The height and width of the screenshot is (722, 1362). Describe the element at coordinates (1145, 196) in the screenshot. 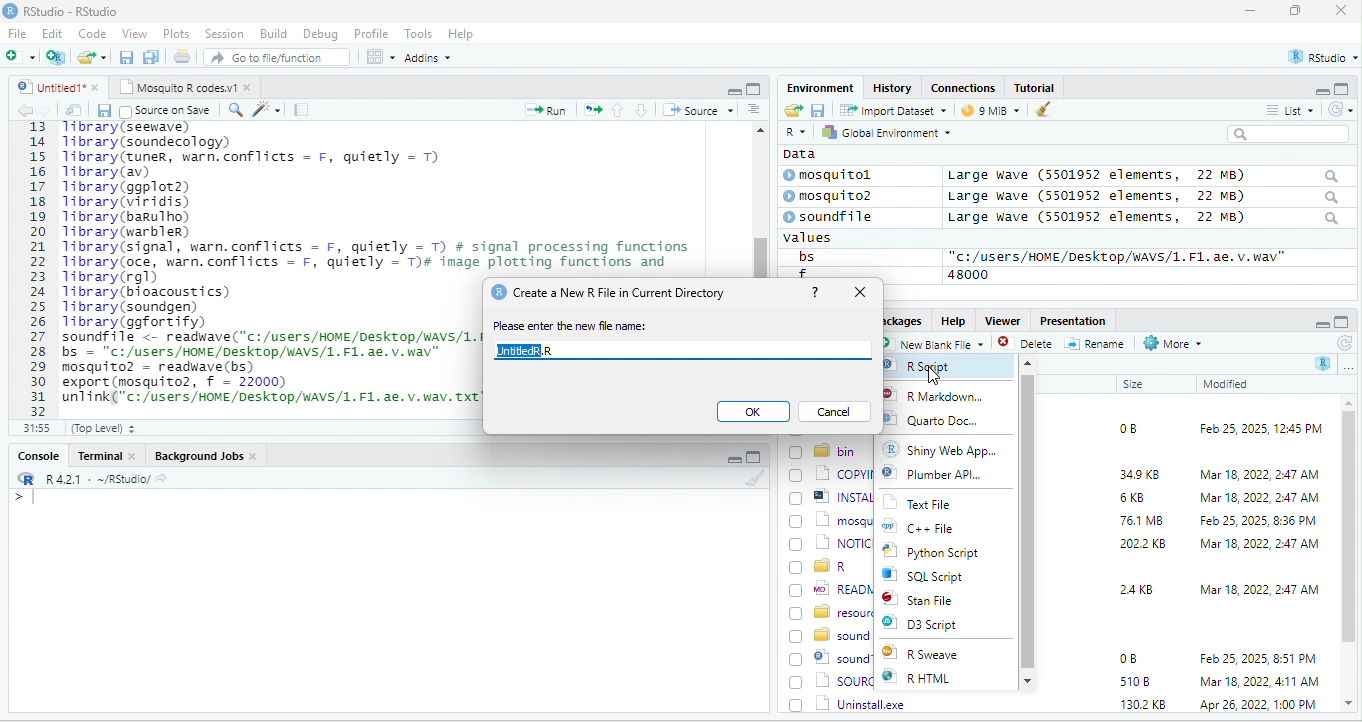

I see `Large wave (550139372 elements, JZ MB)` at that location.